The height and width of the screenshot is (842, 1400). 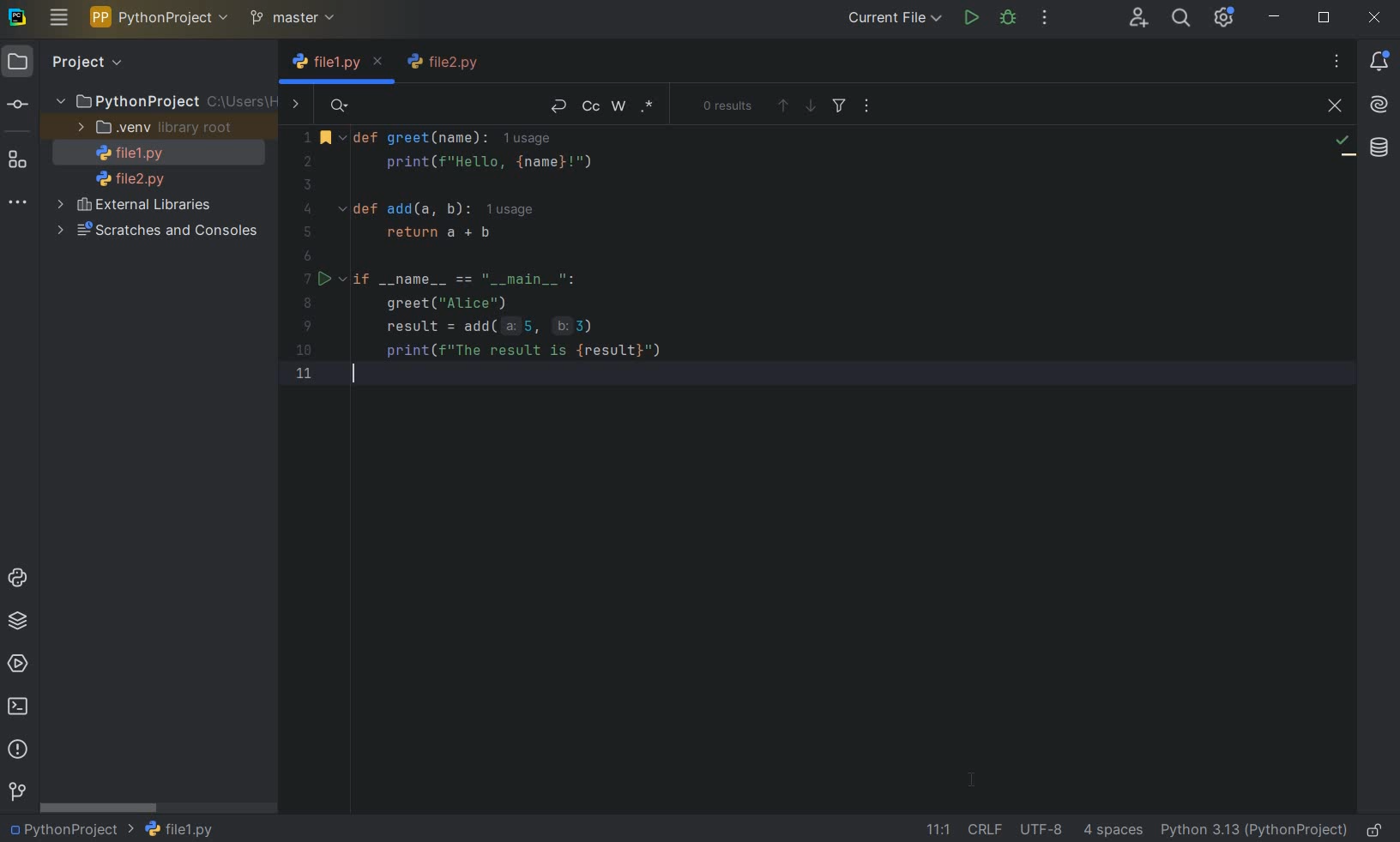 What do you see at coordinates (1046, 17) in the screenshot?
I see `MORE ACTIONS` at bounding box center [1046, 17].